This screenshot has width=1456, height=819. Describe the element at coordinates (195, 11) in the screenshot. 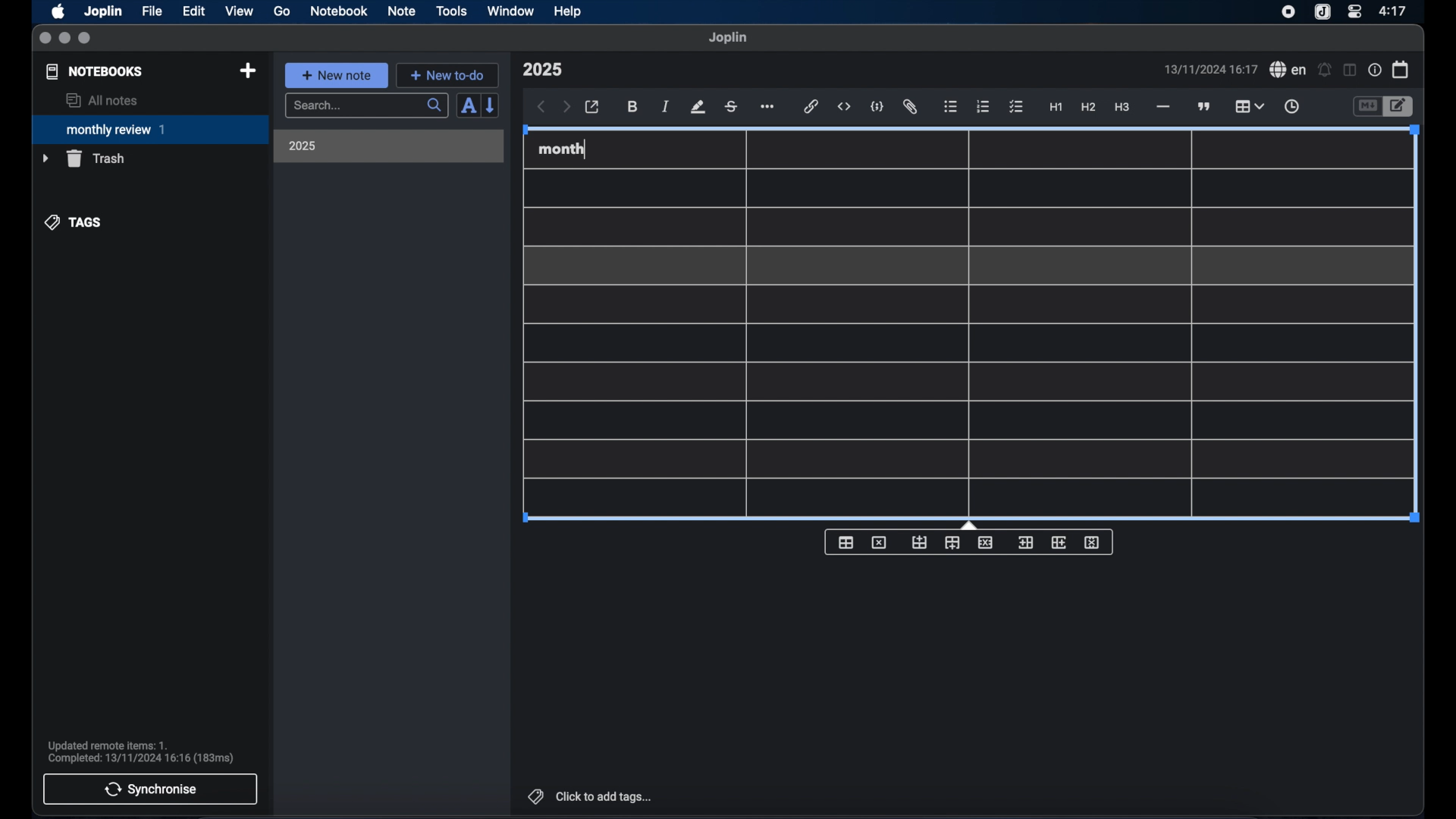

I see `edit` at that location.